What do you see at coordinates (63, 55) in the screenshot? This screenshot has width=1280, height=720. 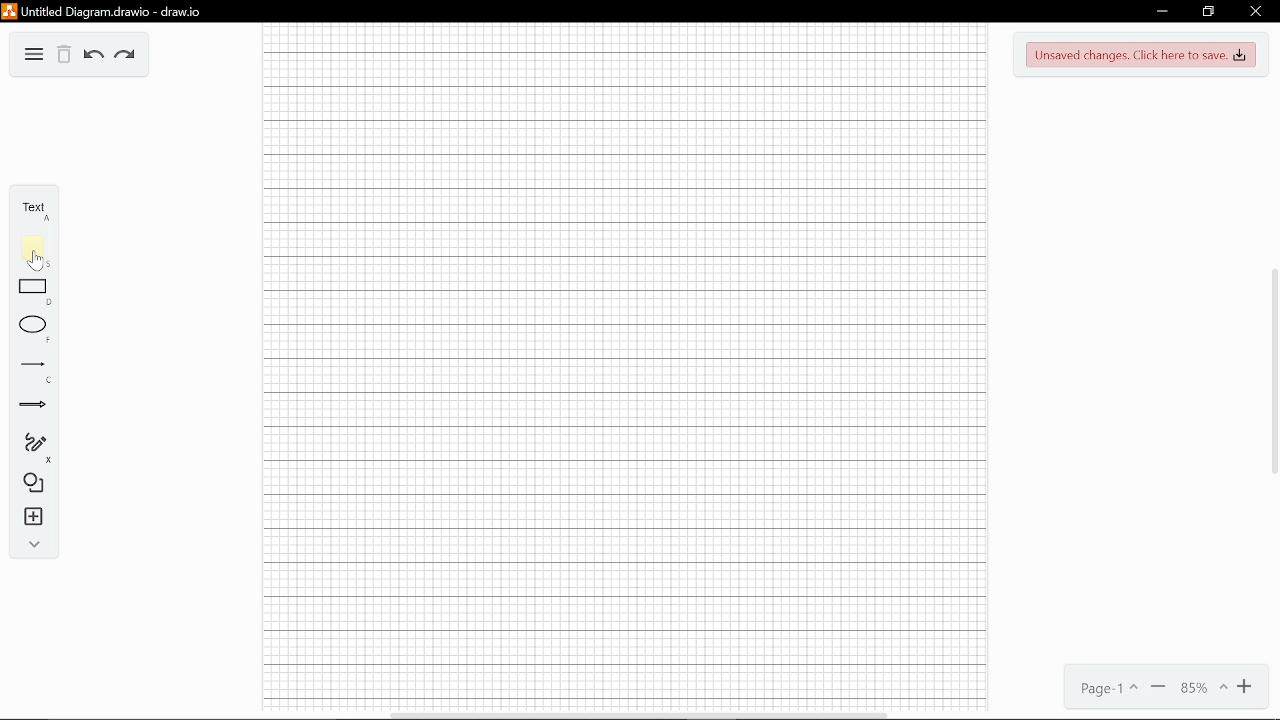 I see `Delete` at bounding box center [63, 55].